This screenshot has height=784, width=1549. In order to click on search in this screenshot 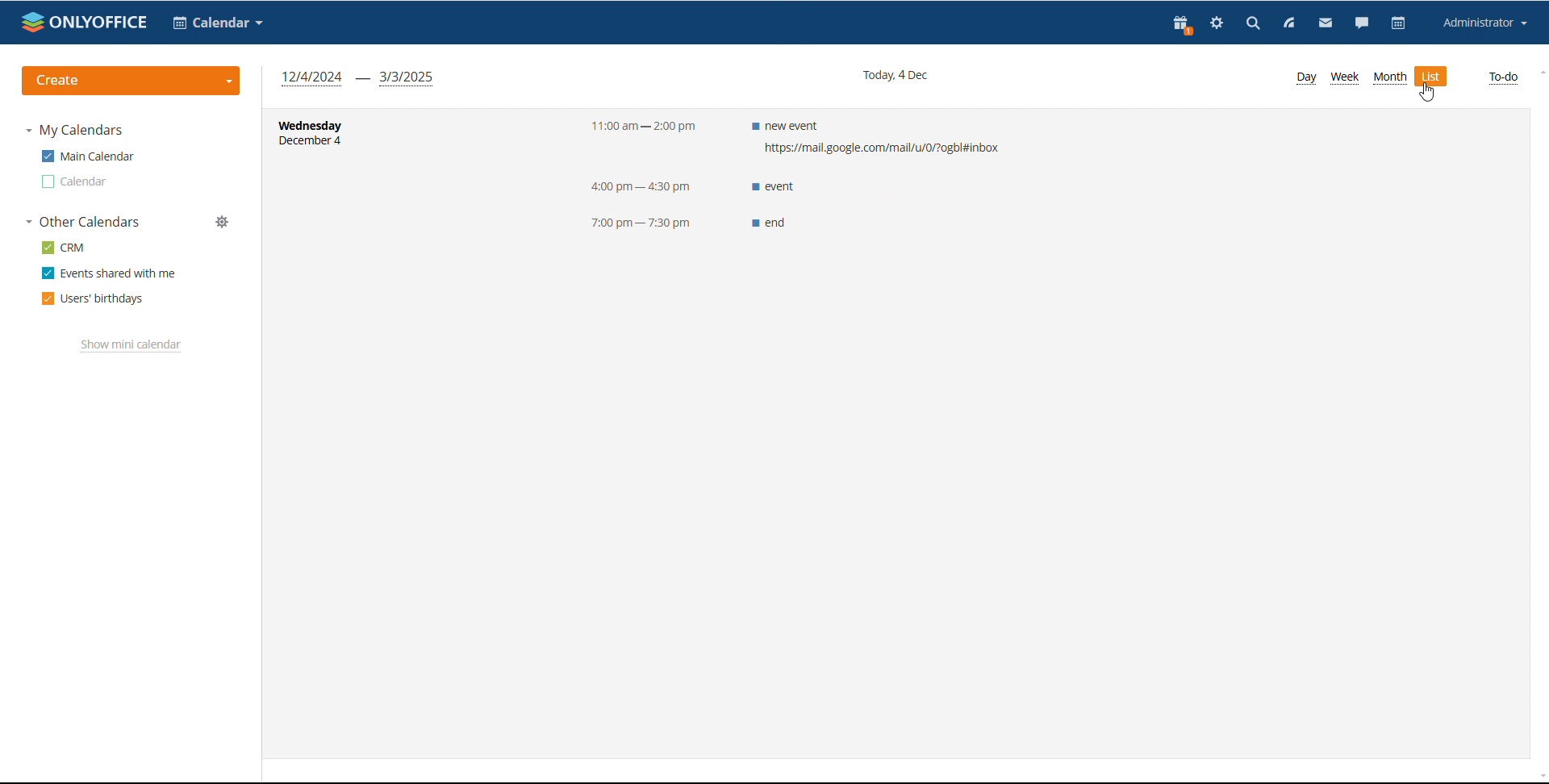, I will do `click(1249, 23)`.